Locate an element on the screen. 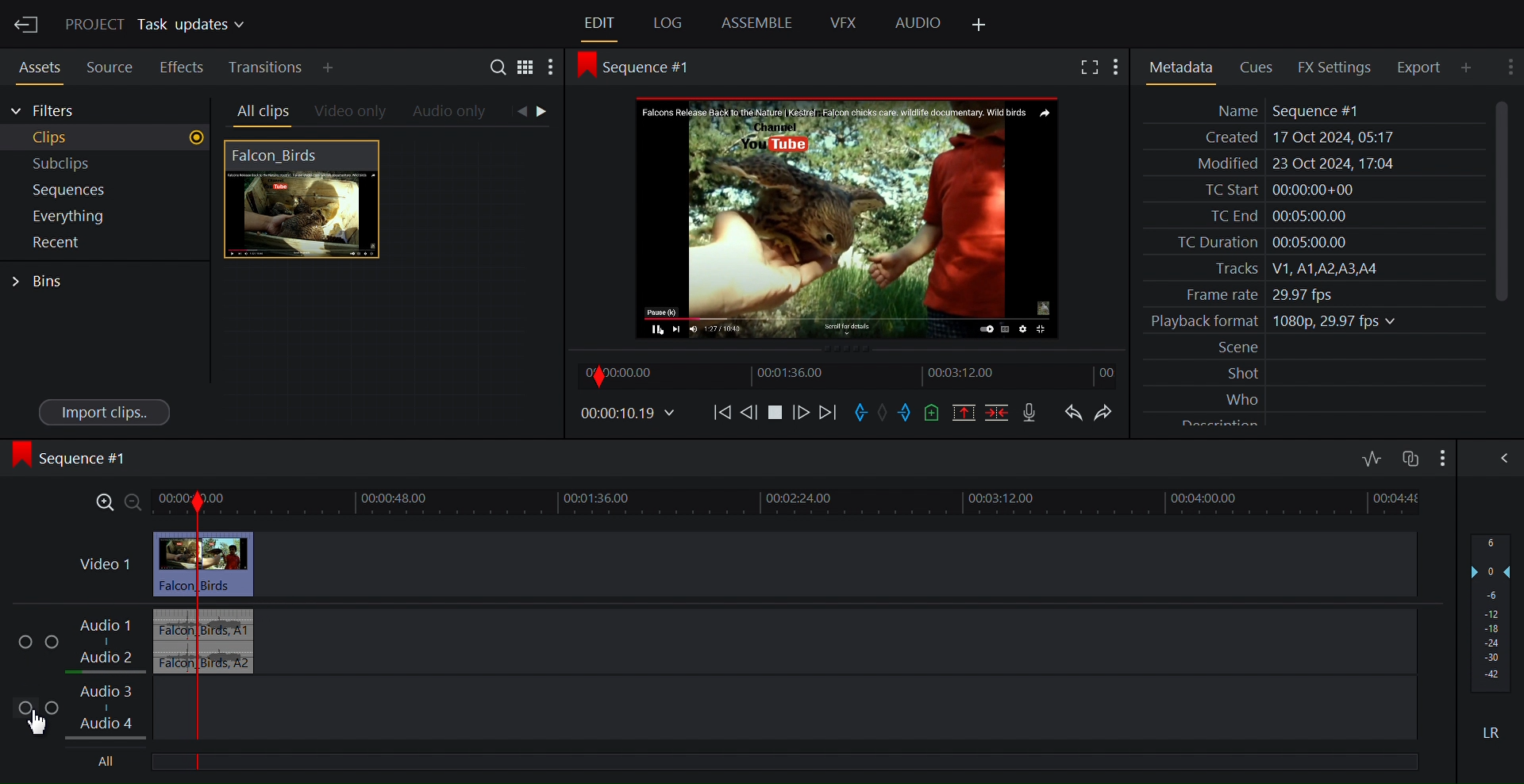 This screenshot has width=1524, height=784. Assets Panel is located at coordinates (35, 65).